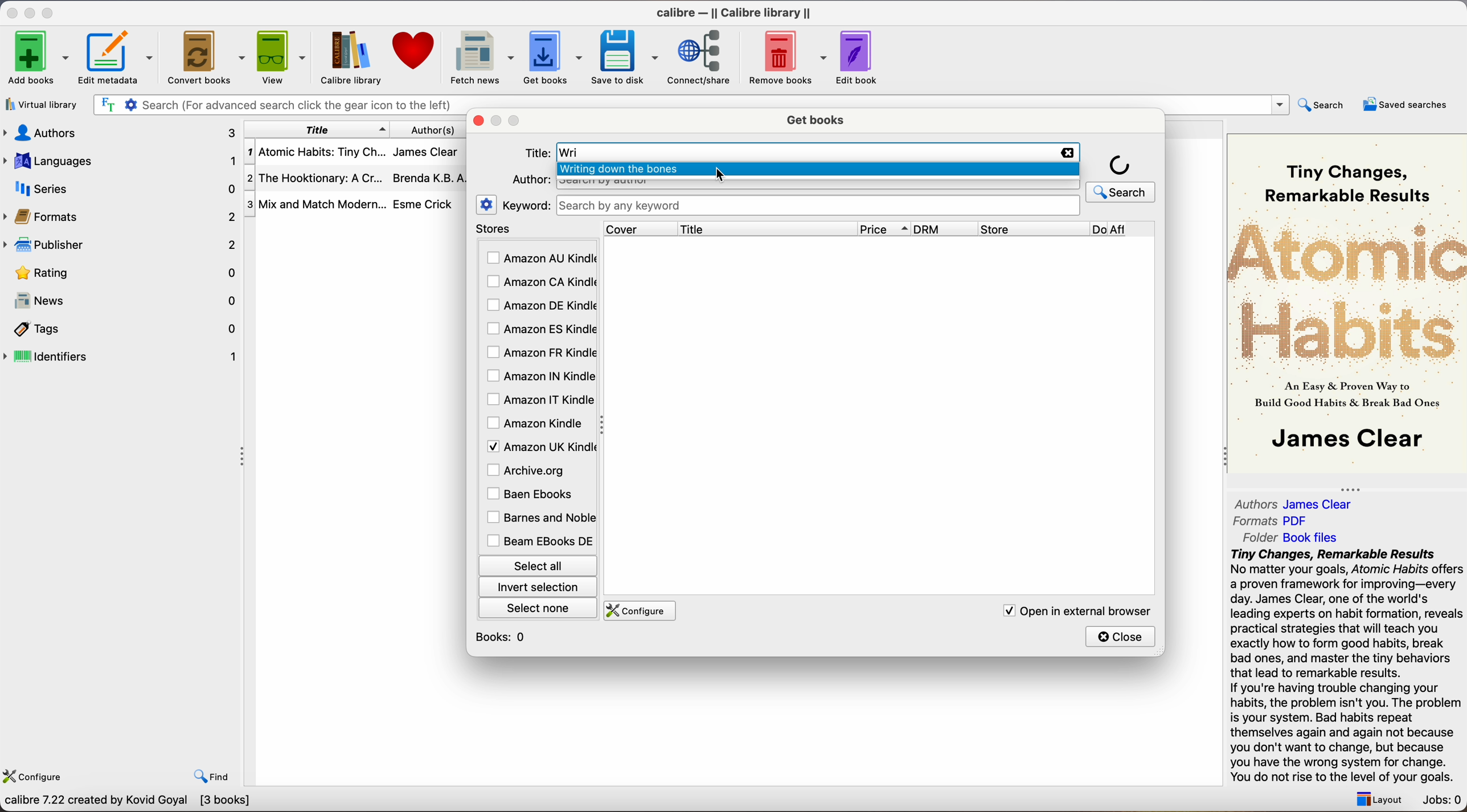 This screenshot has width=1467, height=812. I want to click on configure, so click(637, 611).